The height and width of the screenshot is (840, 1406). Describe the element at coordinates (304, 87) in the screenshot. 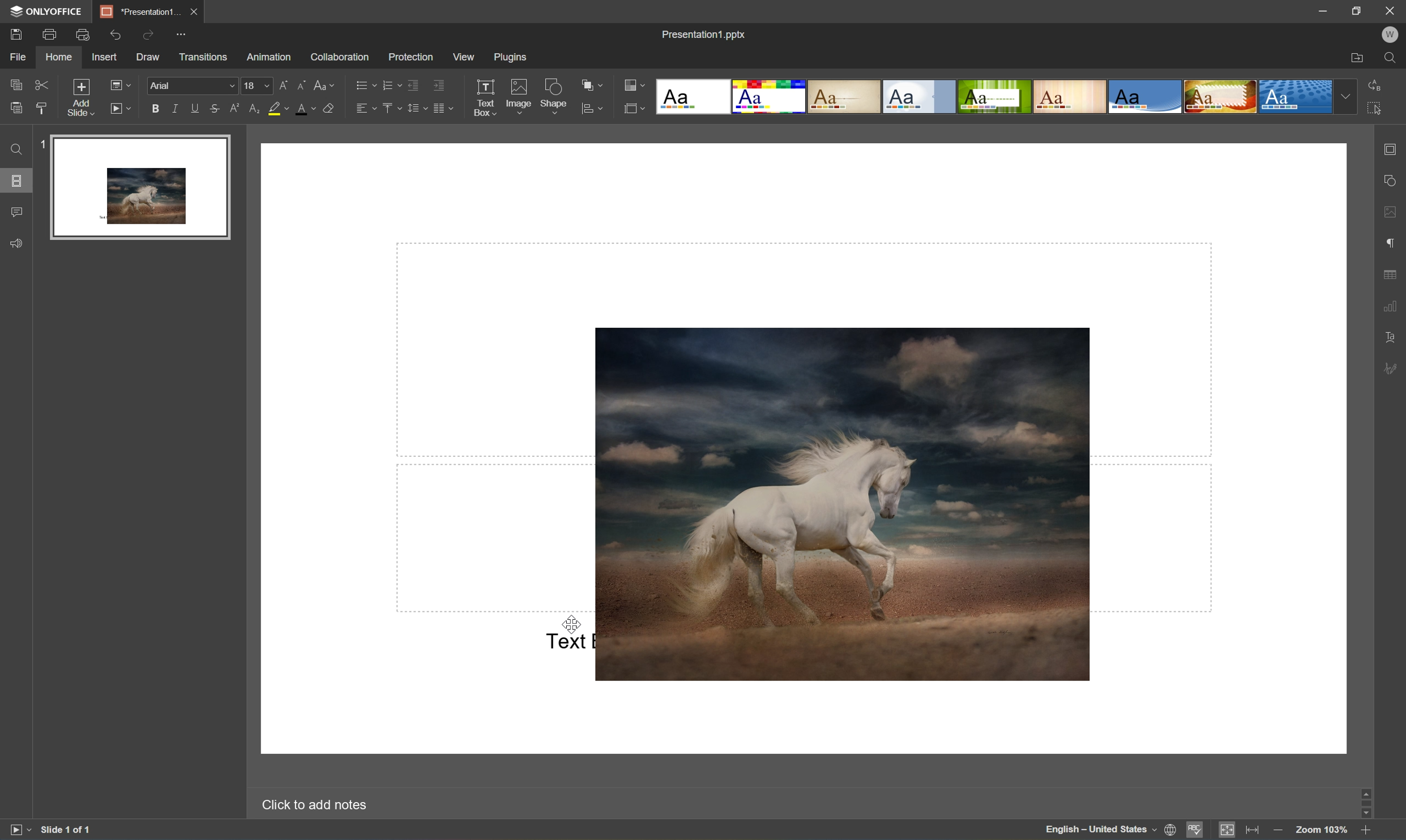

I see `Decrement font size` at that location.